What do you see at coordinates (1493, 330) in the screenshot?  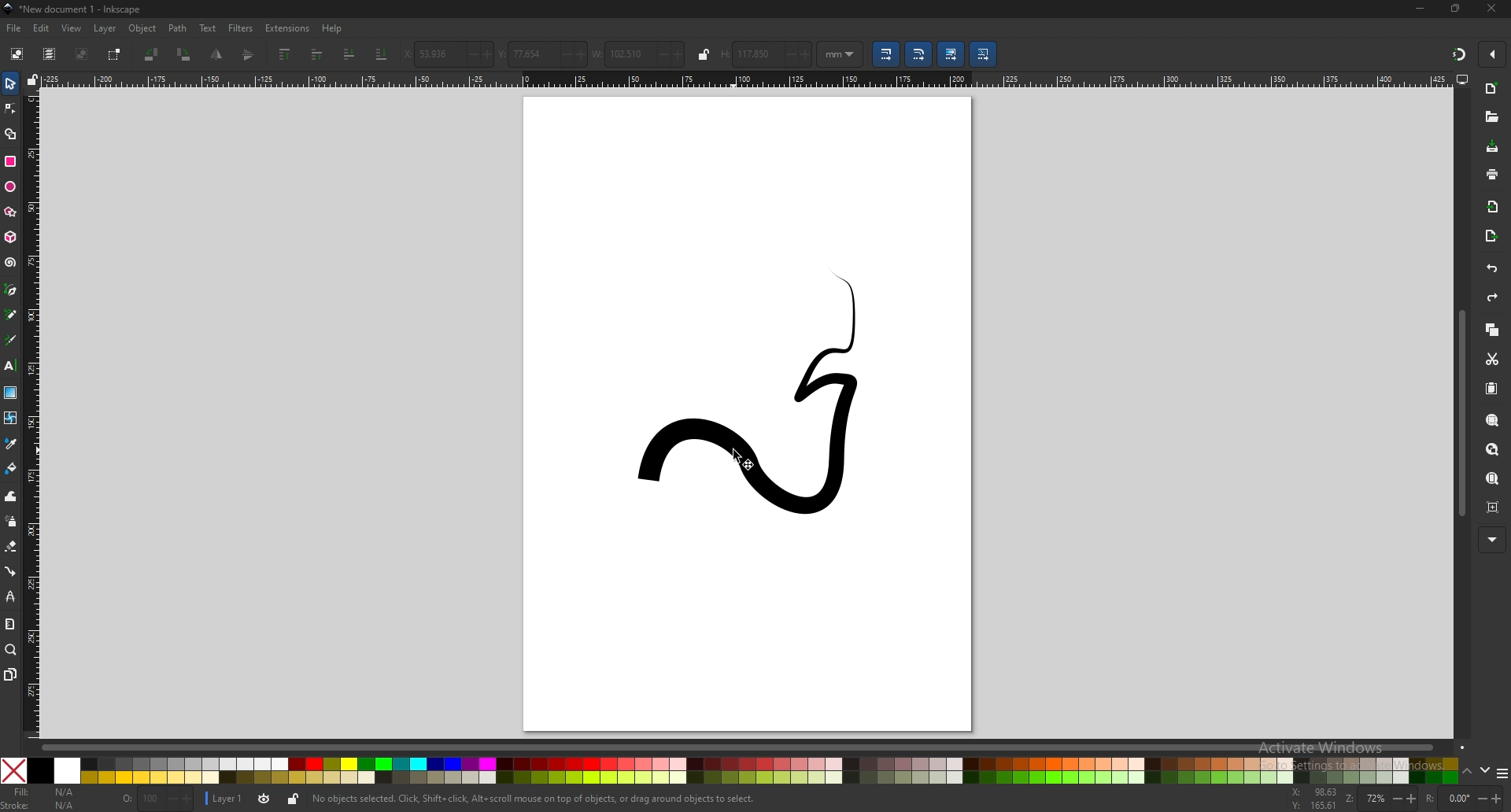 I see `copy` at bounding box center [1493, 330].